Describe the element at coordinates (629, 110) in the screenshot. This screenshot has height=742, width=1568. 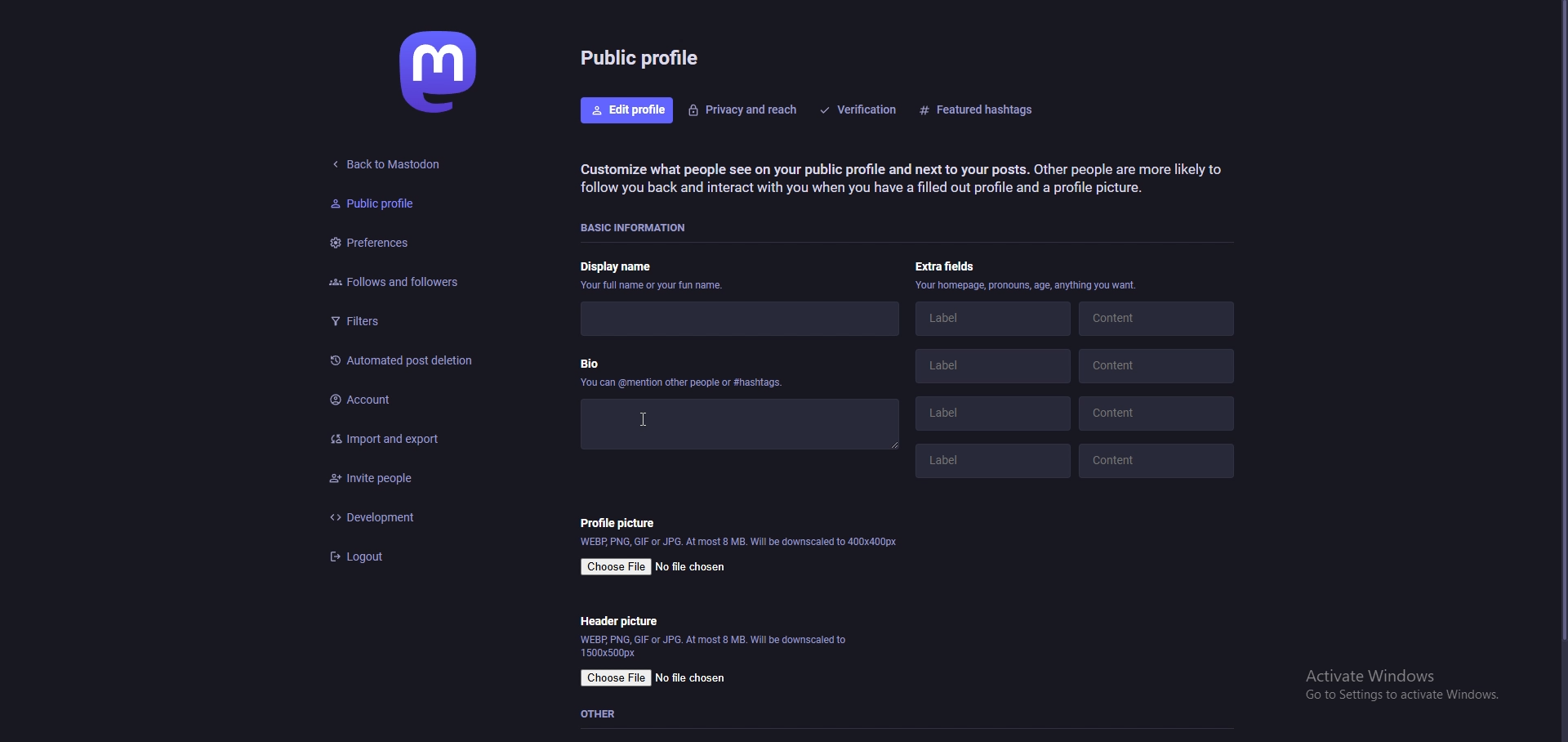
I see `edit profile` at that location.